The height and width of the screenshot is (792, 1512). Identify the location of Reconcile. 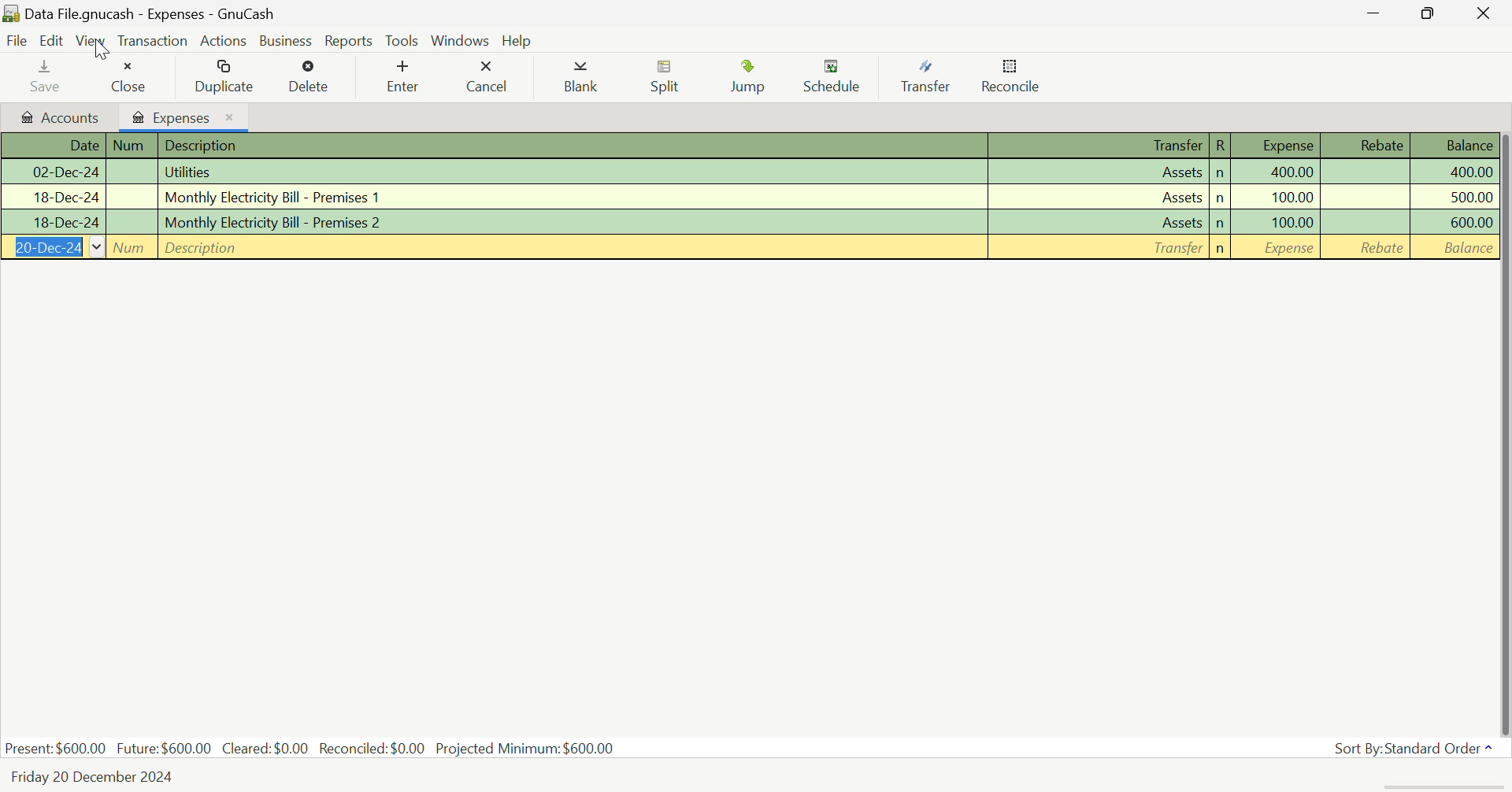
(1014, 80).